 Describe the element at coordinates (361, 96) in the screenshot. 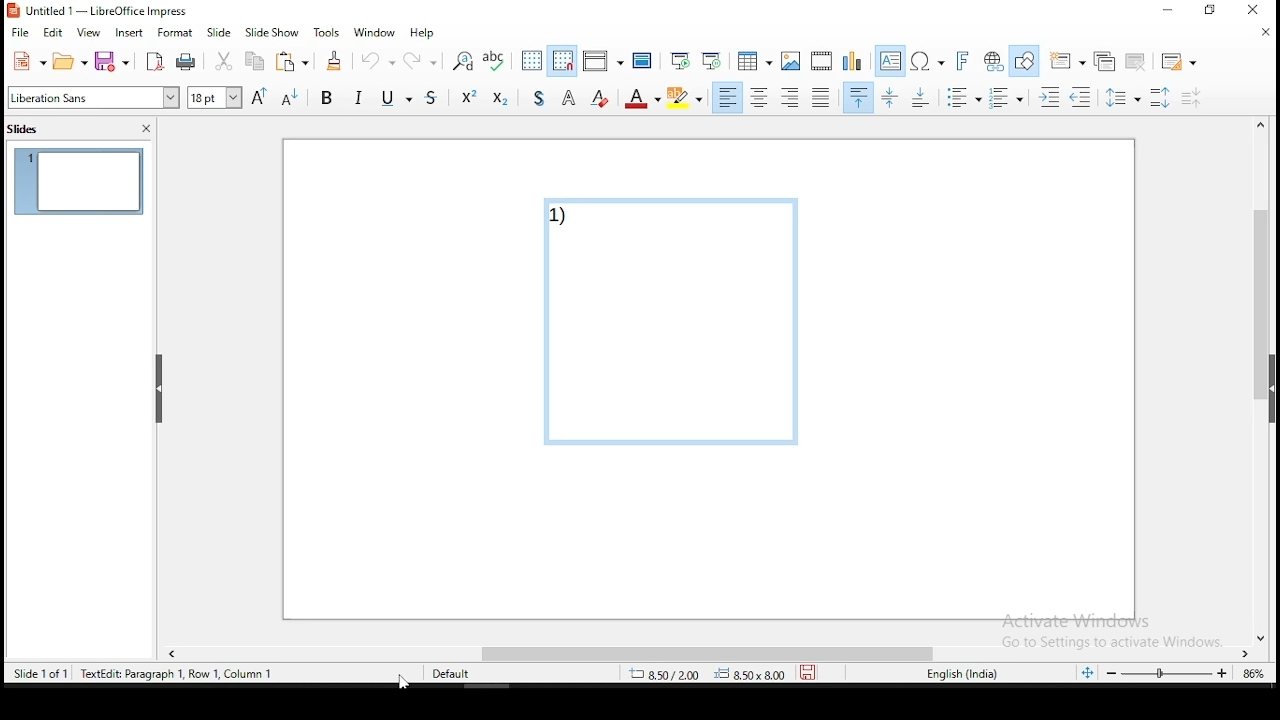

I see `italics` at that location.